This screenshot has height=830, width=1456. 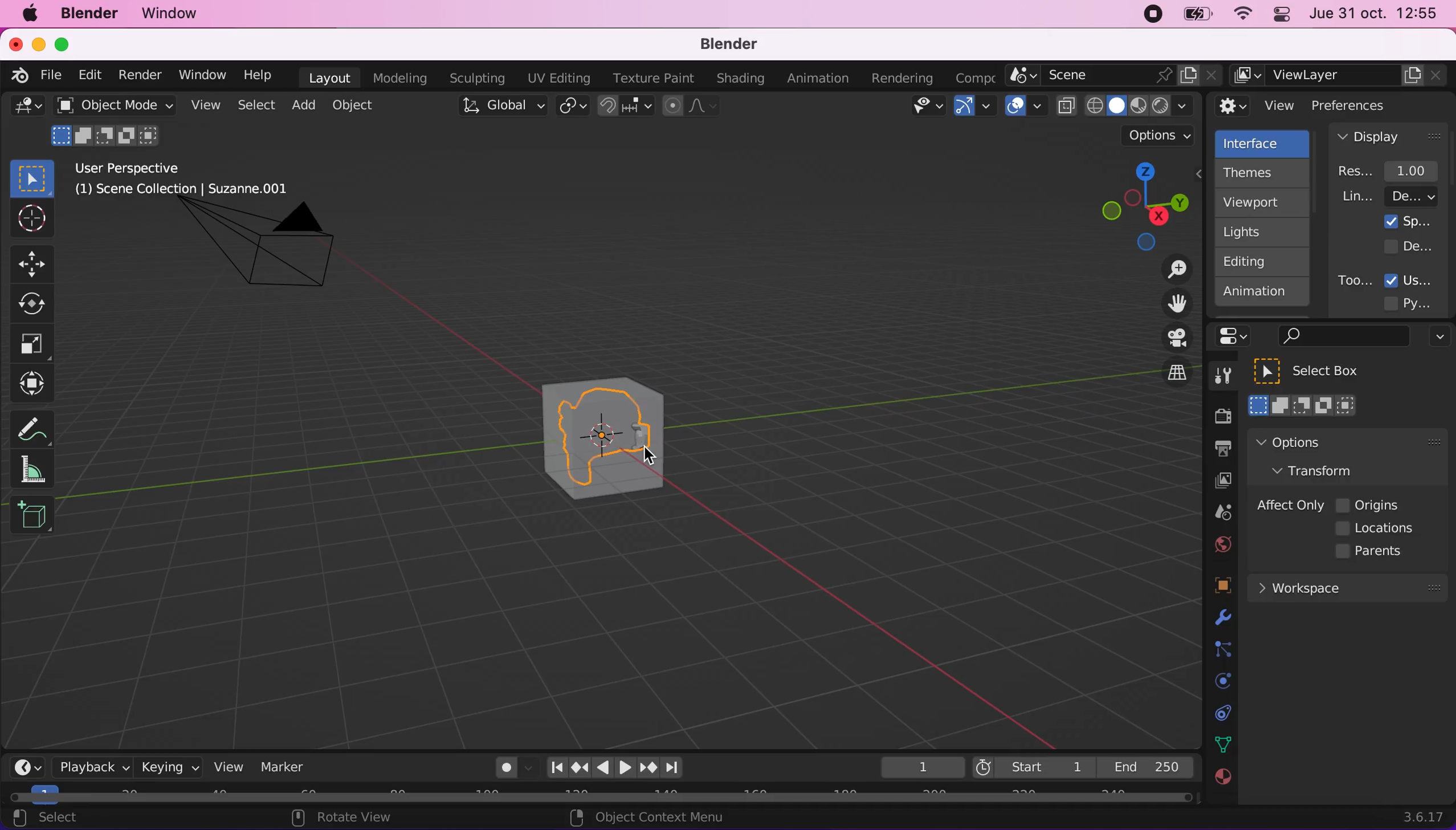 What do you see at coordinates (1257, 261) in the screenshot?
I see `editing` at bounding box center [1257, 261].